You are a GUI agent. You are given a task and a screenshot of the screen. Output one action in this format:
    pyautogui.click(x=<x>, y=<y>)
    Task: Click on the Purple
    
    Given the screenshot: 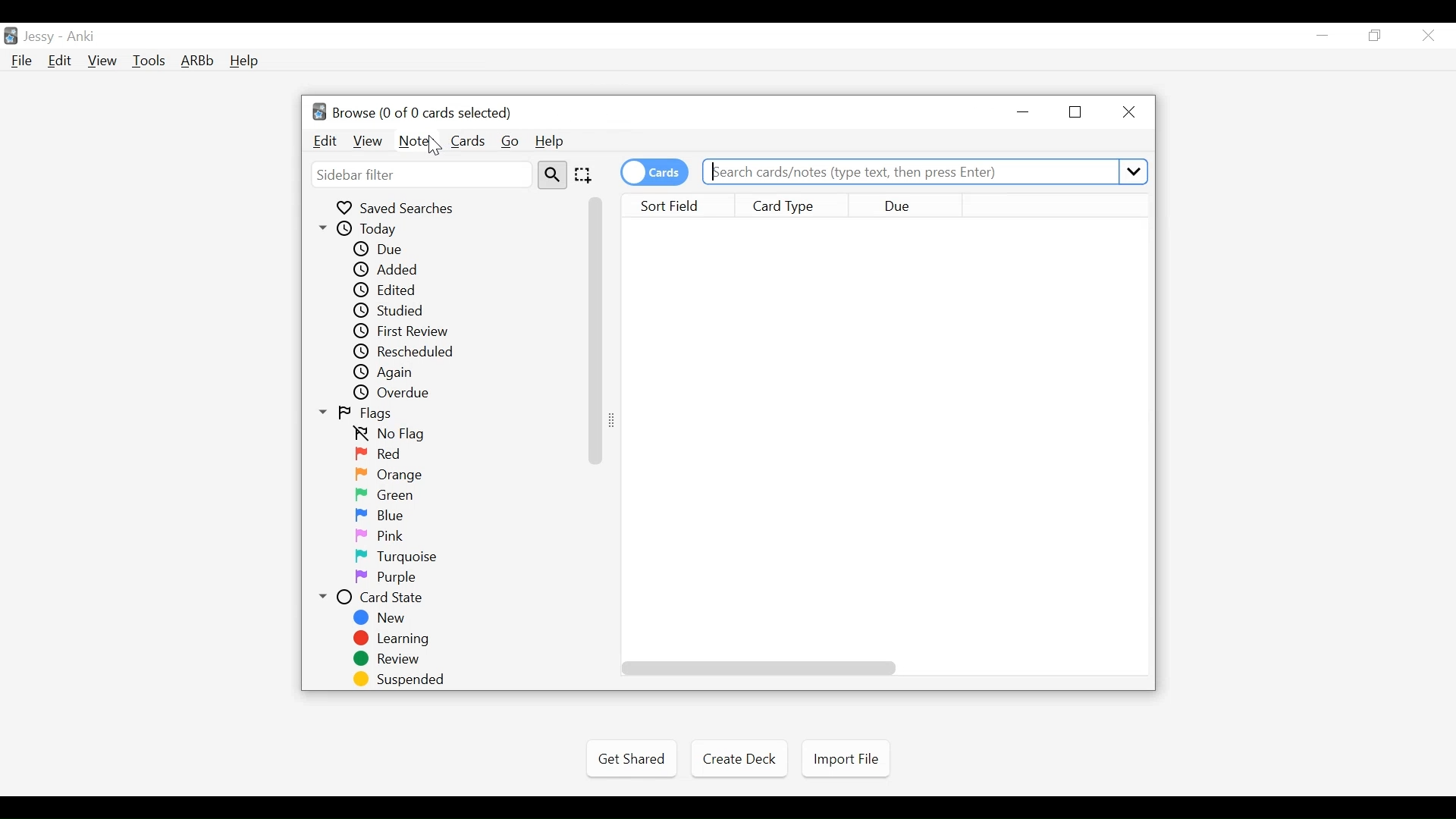 What is the action you would take?
    pyautogui.click(x=388, y=577)
    